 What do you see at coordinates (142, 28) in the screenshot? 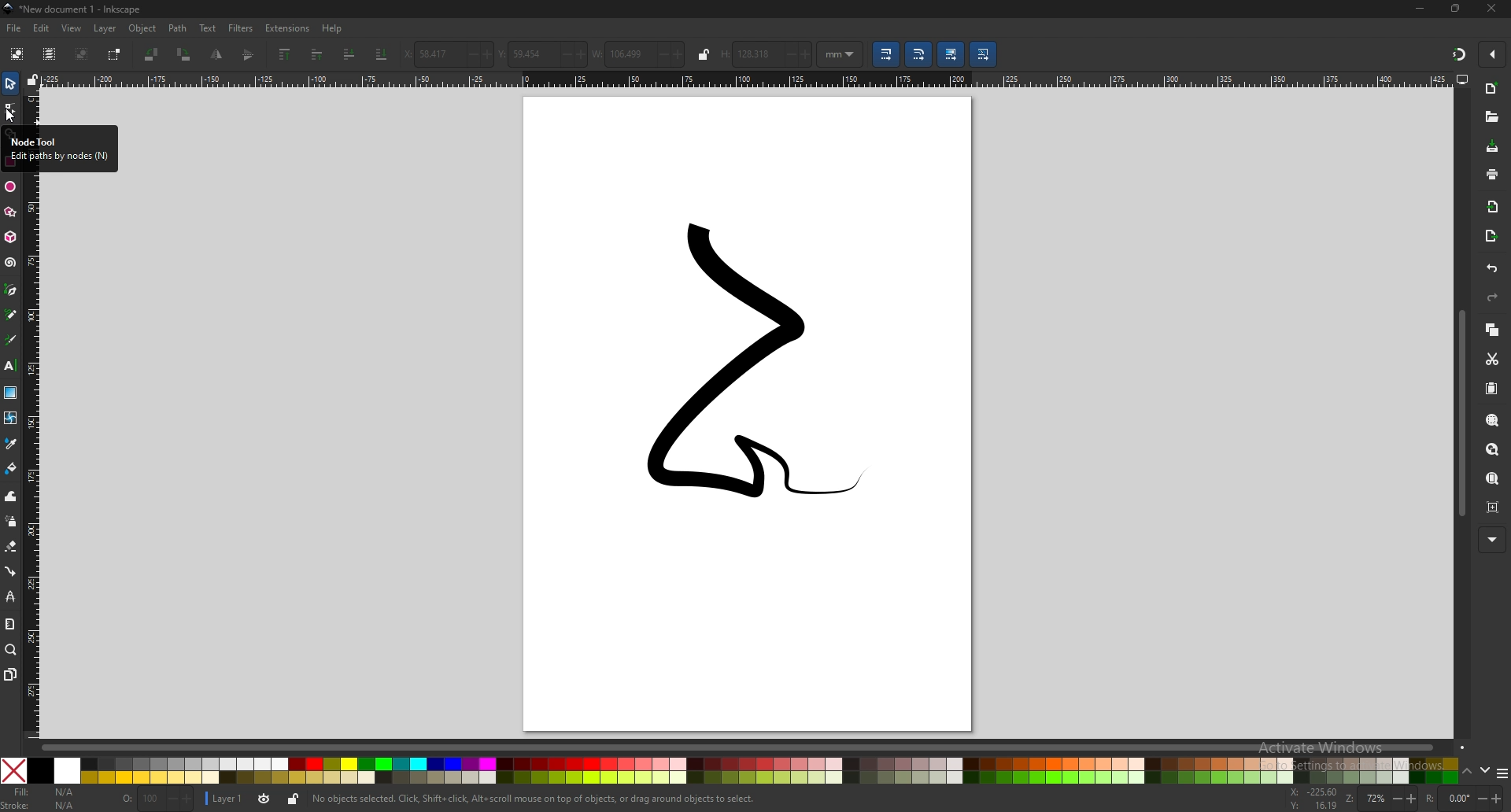
I see `object` at bounding box center [142, 28].